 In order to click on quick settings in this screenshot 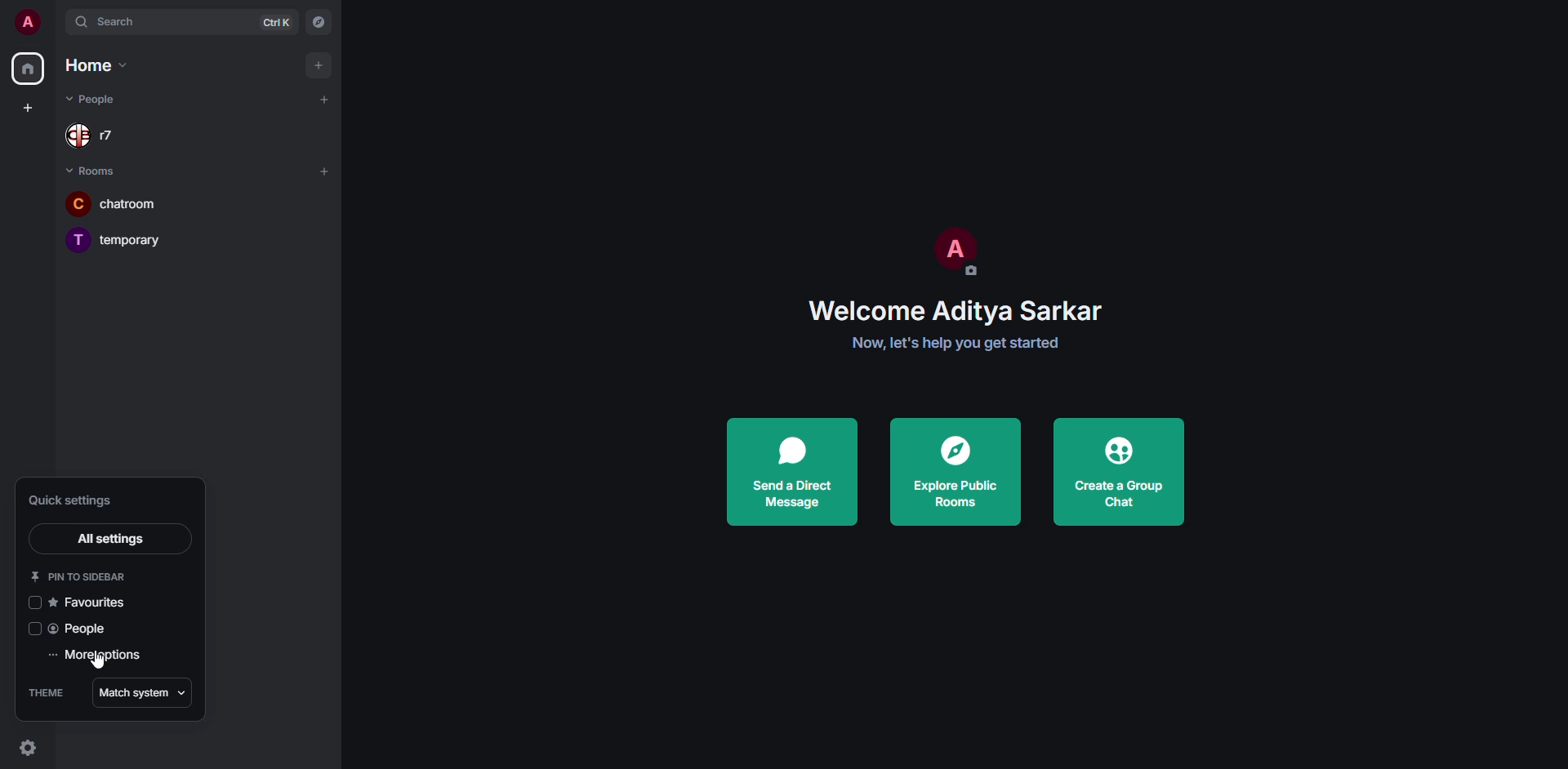, I will do `click(78, 499)`.